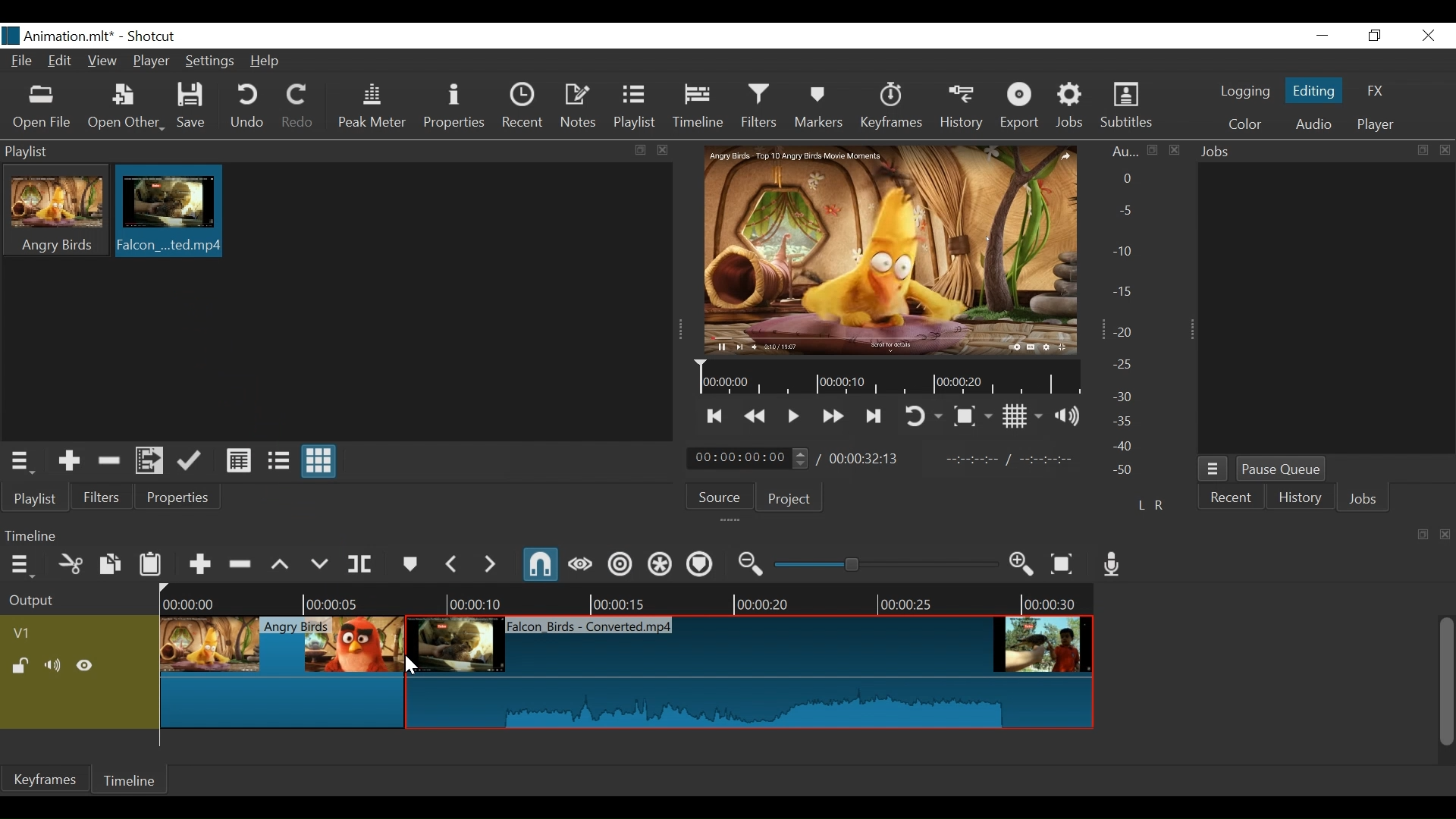 The width and height of the screenshot is (1456, 819). What do you see at coordinates (103, 61) in the screenshot?
I see `View` at bounding box center [103, 61].